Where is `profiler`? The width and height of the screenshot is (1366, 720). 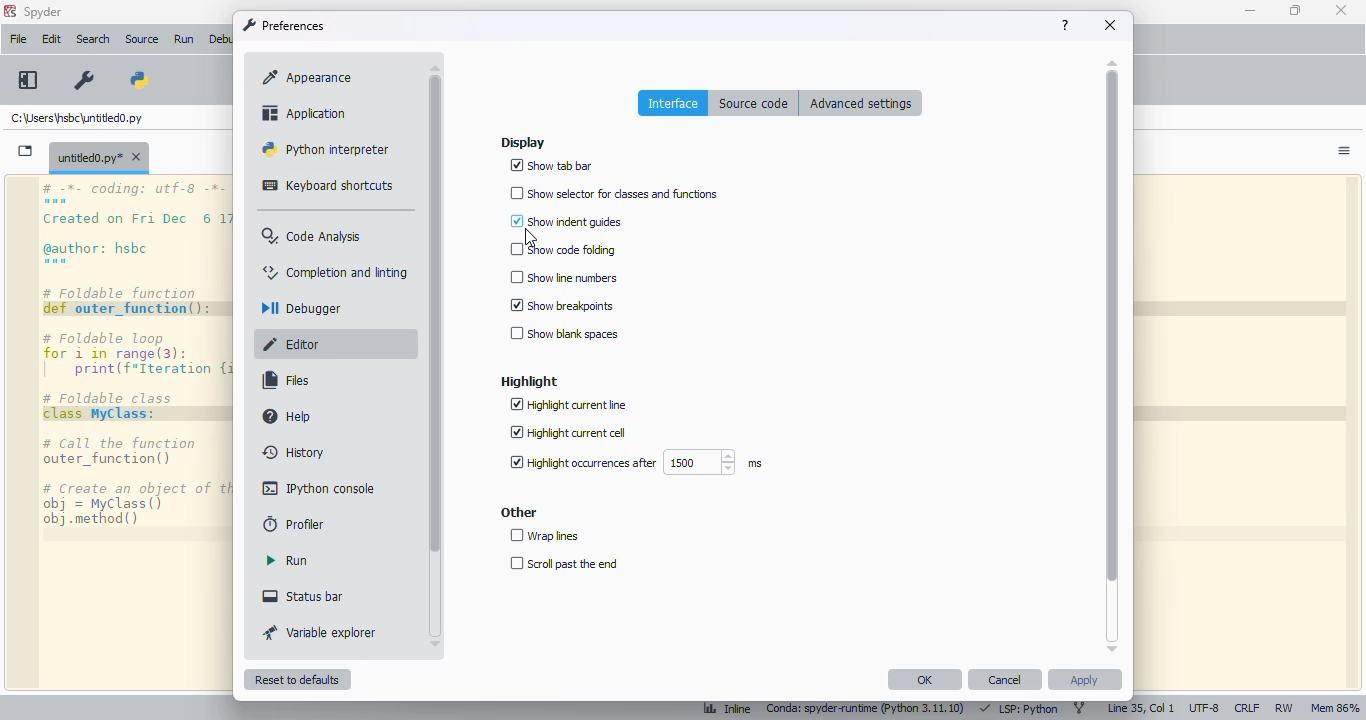 profiler is located at coordinates (295, 524).